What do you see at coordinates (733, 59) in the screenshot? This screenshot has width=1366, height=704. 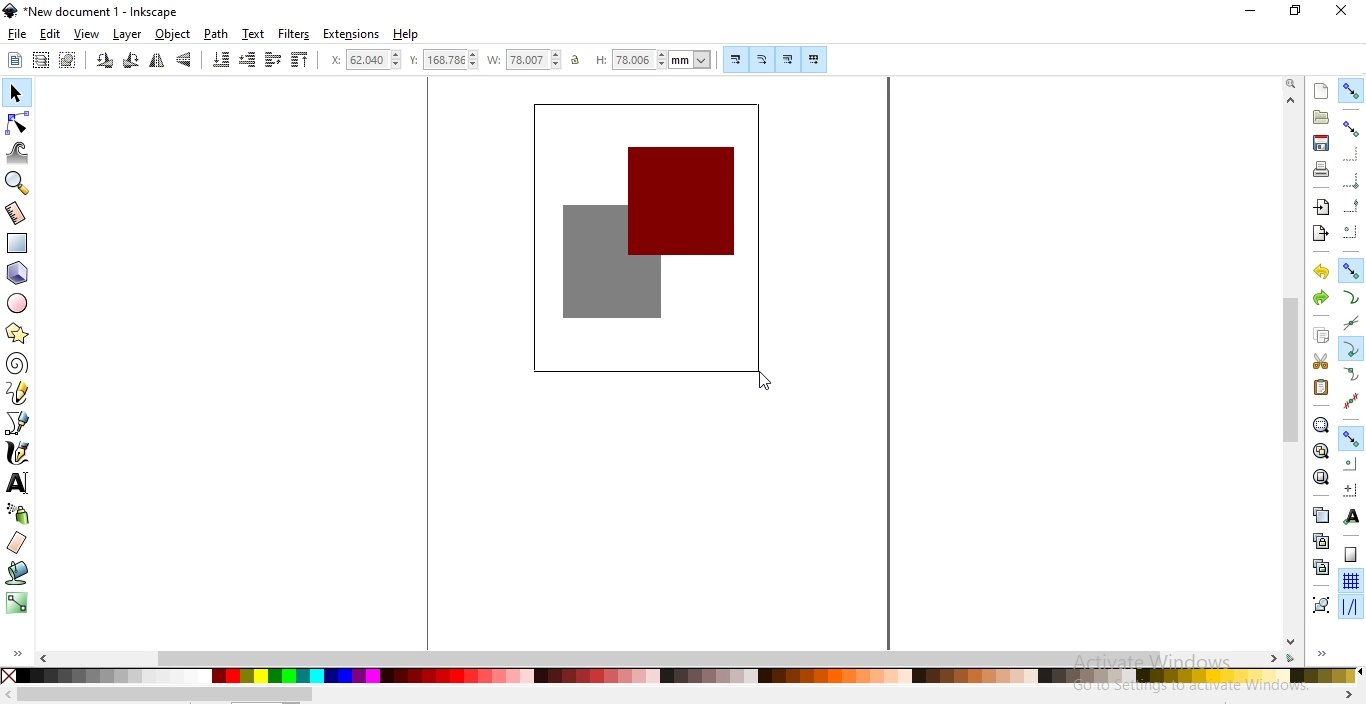 I see `scale stroke width by same proportion` at bounding box center [733, 59].